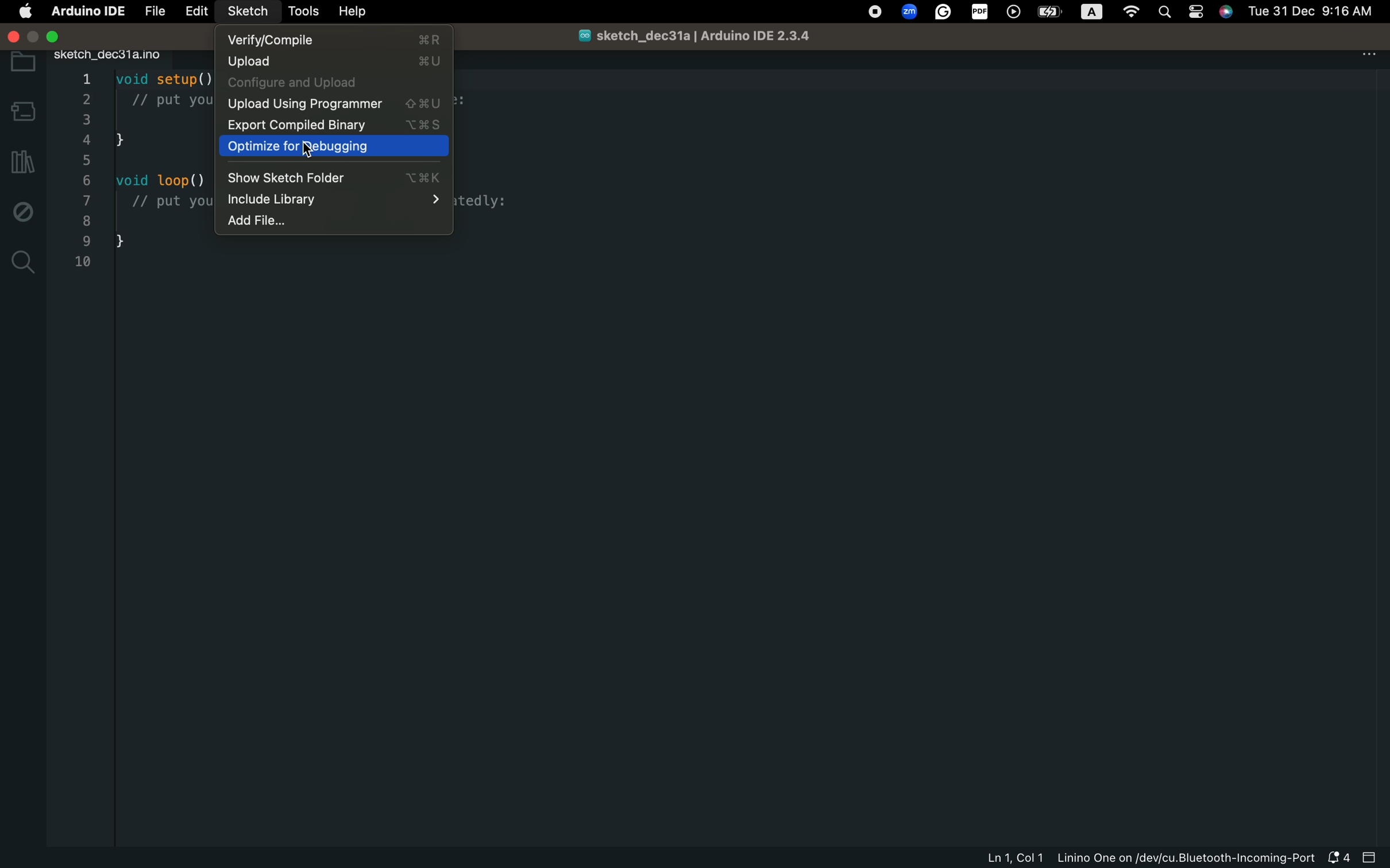 The width and height of the screenshot is (1390, 868). Describe the element at coordinates (305, 10) in the screenshot. I see `tools` at that location.